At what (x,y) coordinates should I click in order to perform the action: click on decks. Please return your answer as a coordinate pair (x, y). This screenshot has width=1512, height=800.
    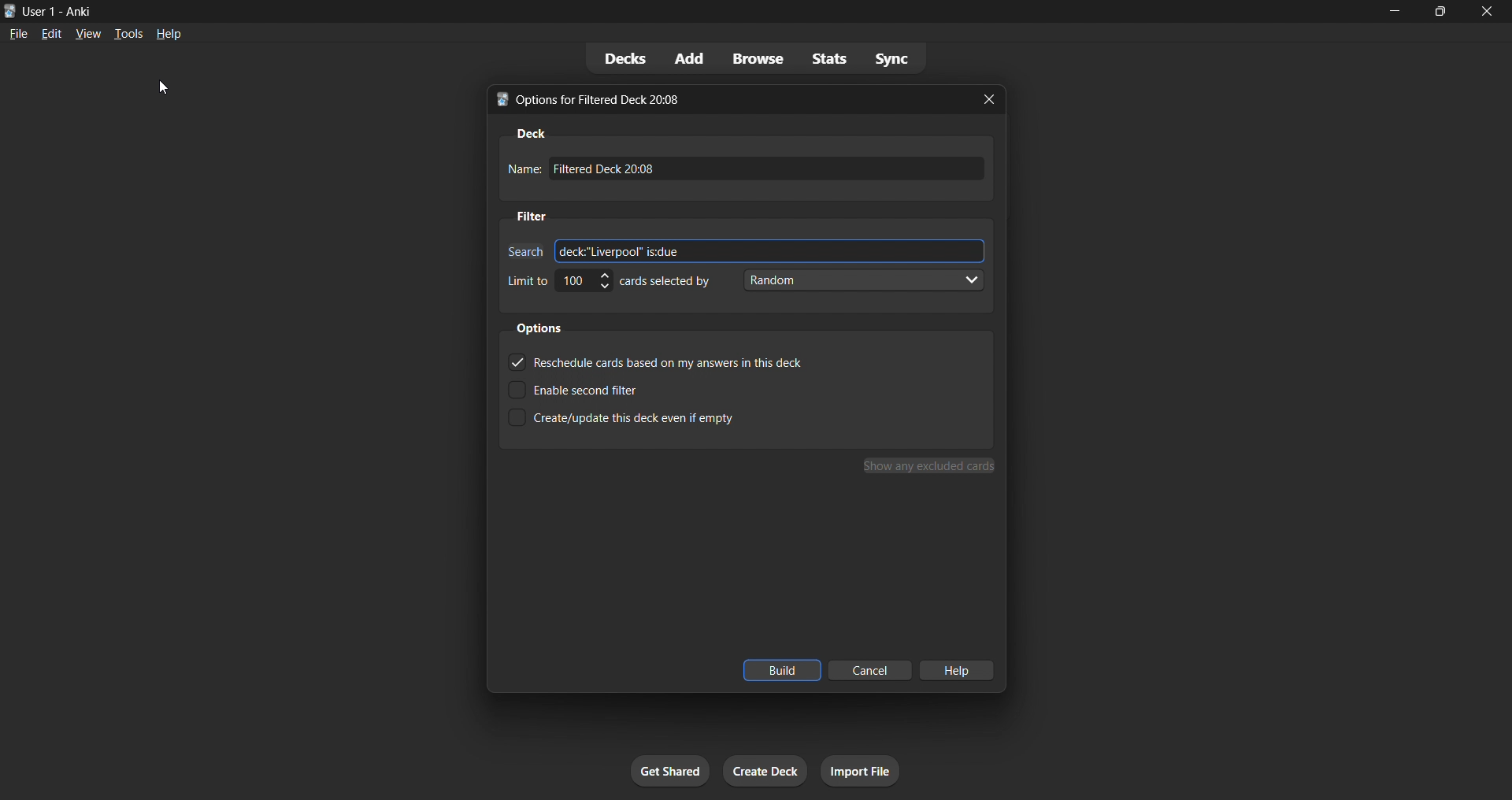
    Looking at the image, I should click on (619, 59).